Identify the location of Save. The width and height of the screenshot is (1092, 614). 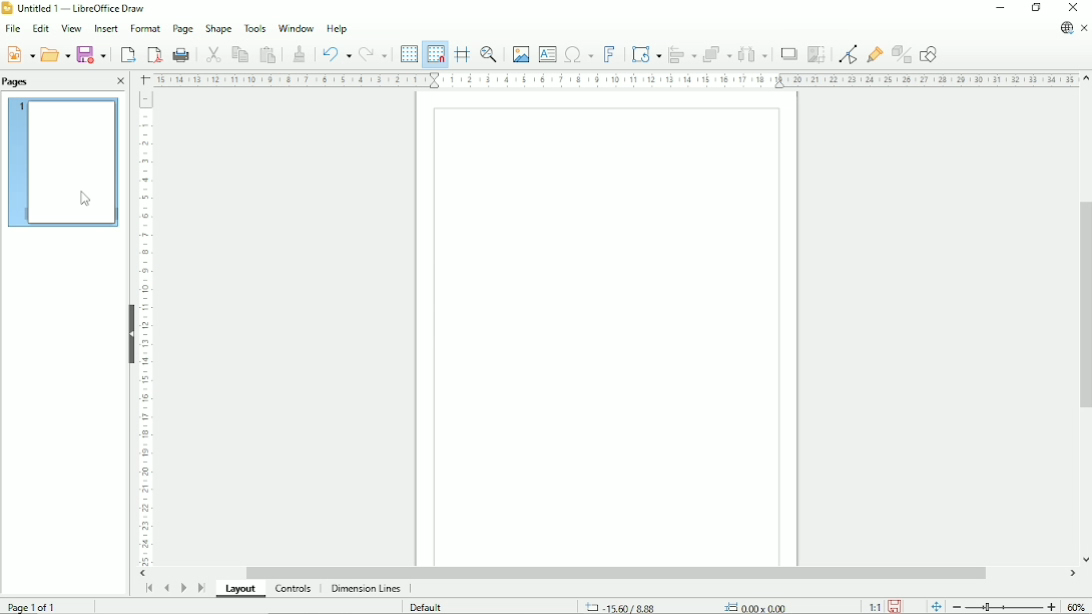
(93, 54).